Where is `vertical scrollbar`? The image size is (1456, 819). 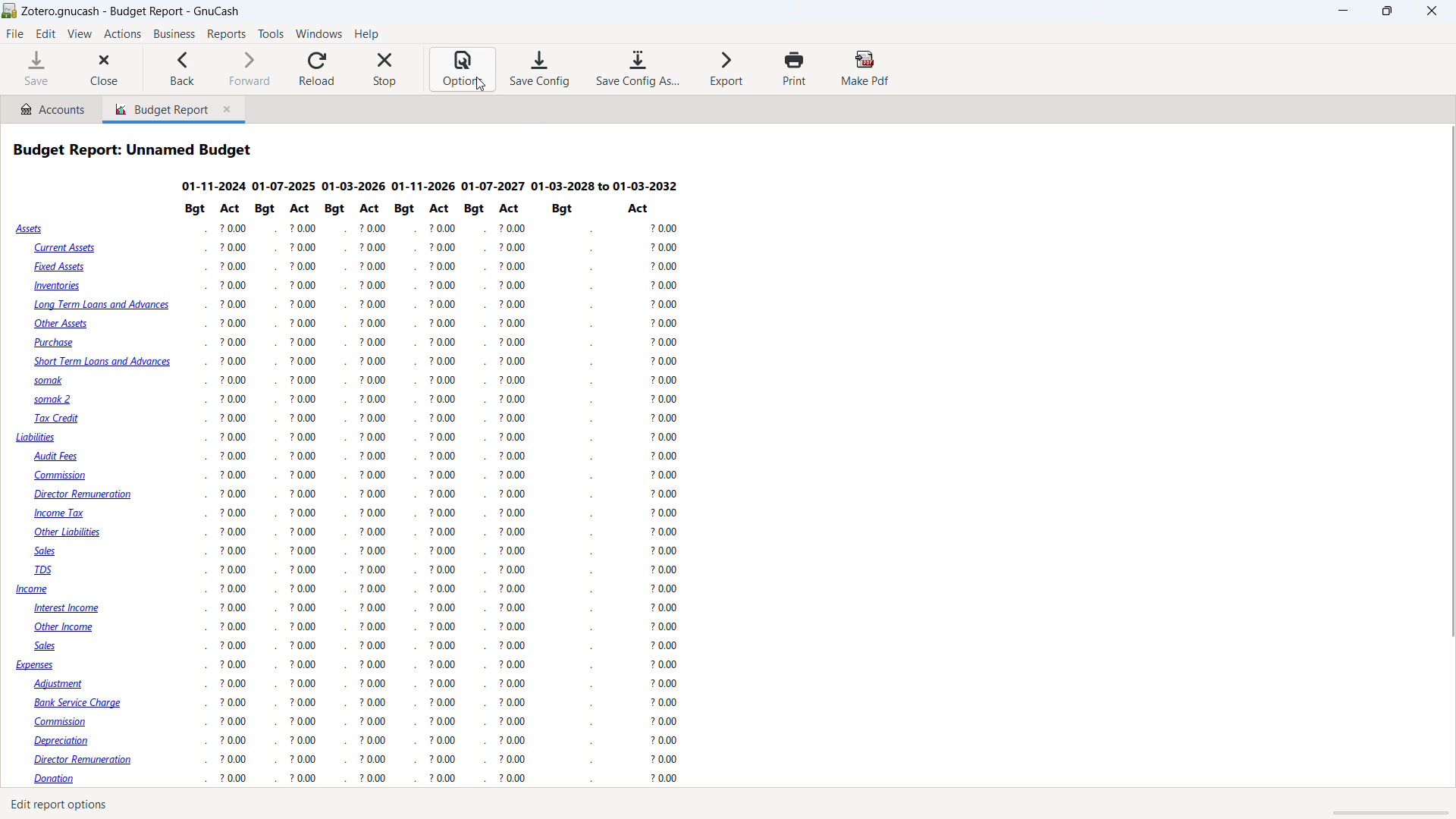 vertical scrollbar is located at coordinates (1447, 377).